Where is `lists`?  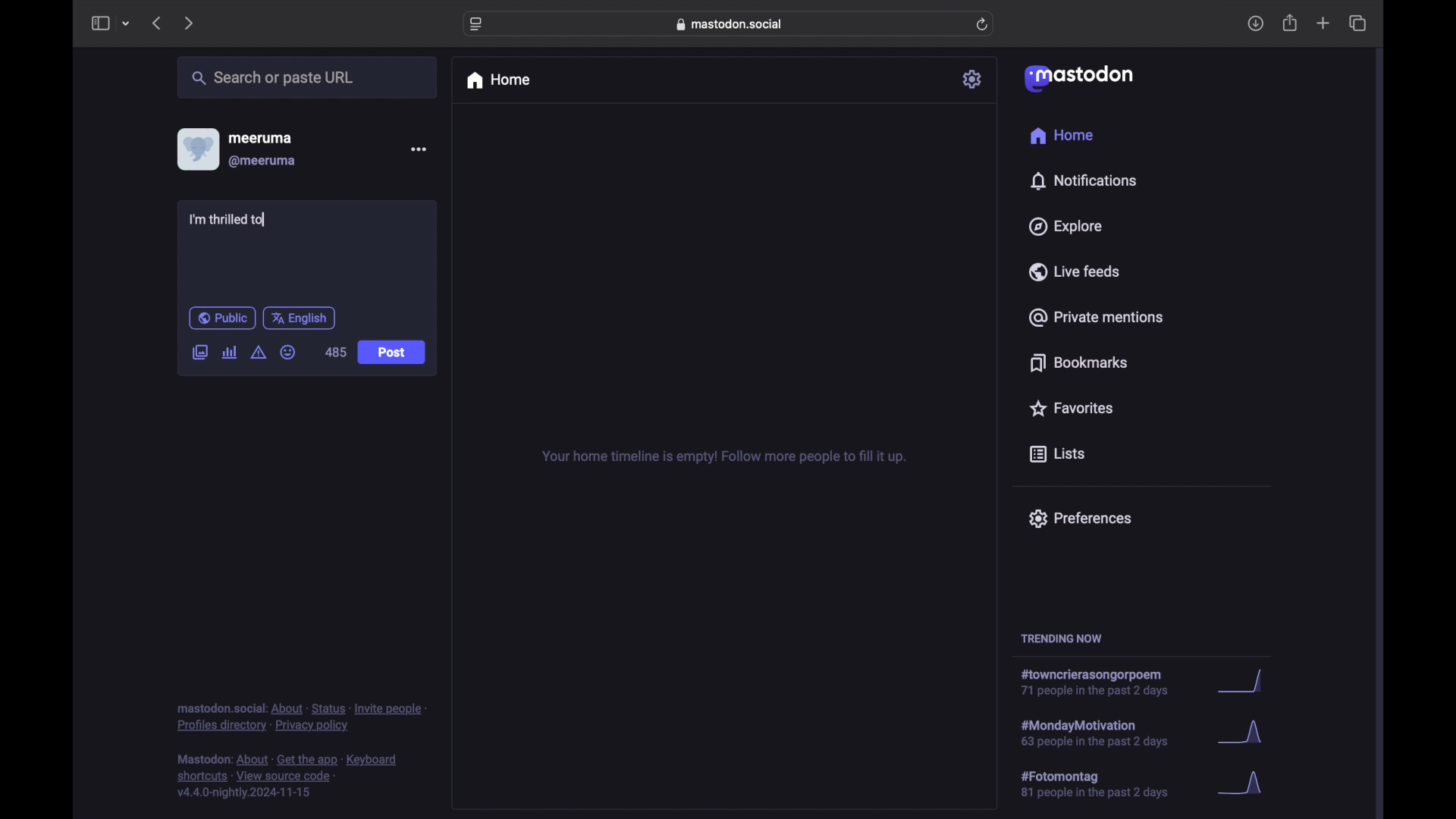
lists is located at coordinates (1057, 455).